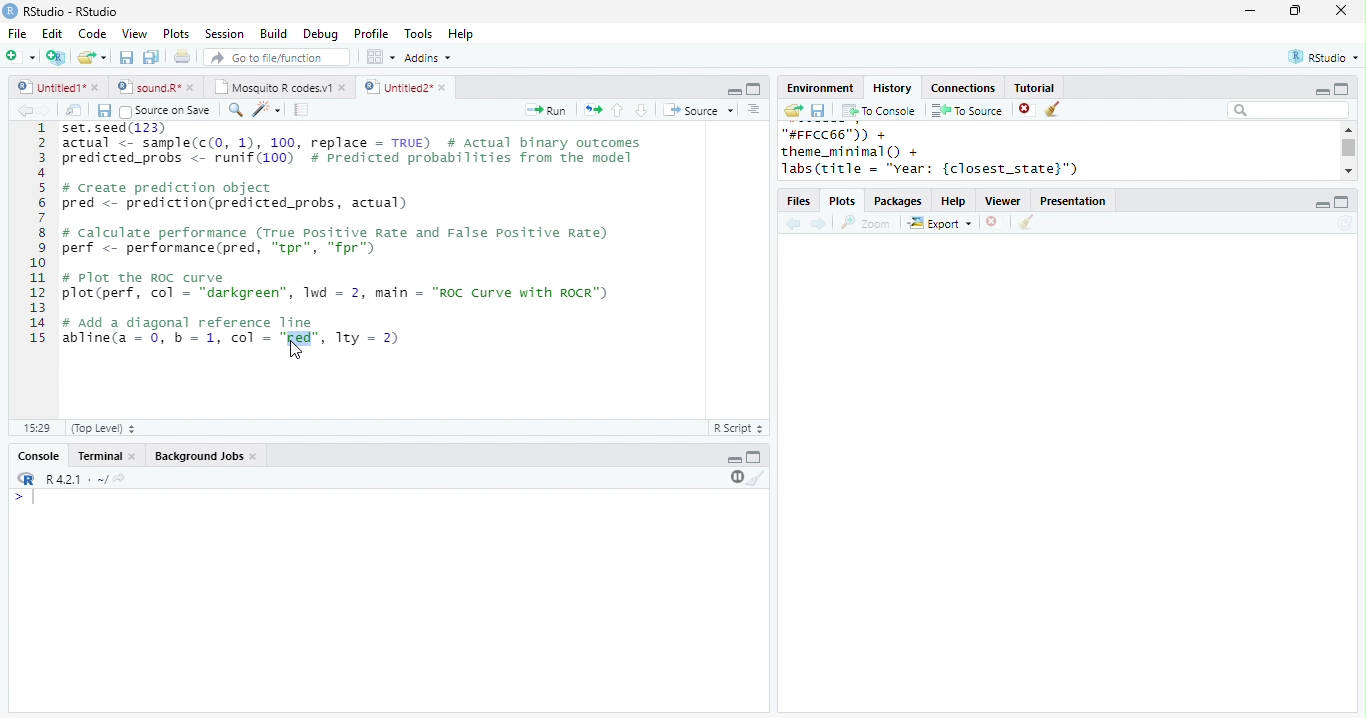  Describe the element at coordinates (295, 351) in the screenshot. I see `cursor` at that location.